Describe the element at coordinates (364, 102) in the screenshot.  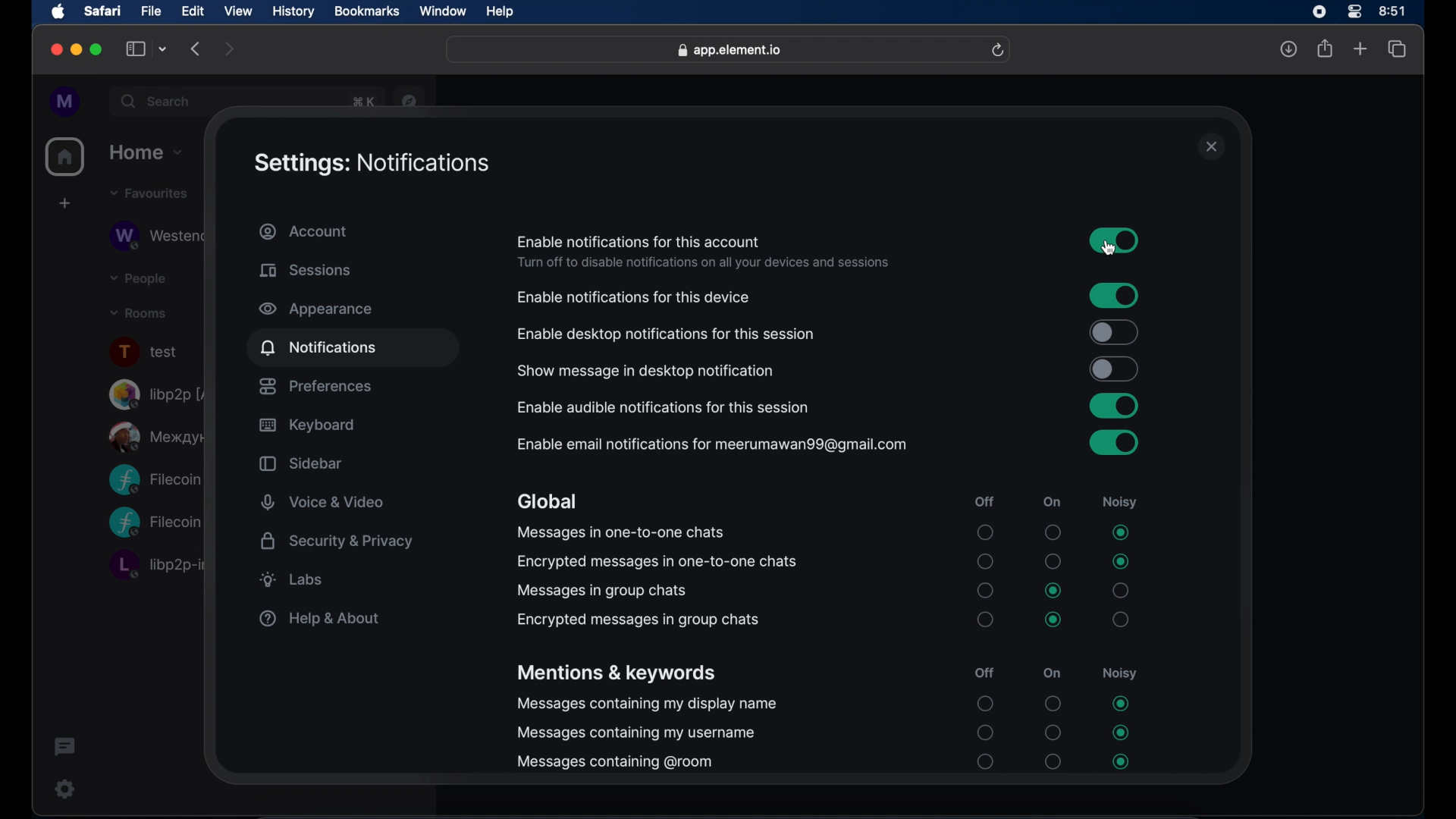
I see `obscure text` at that location.